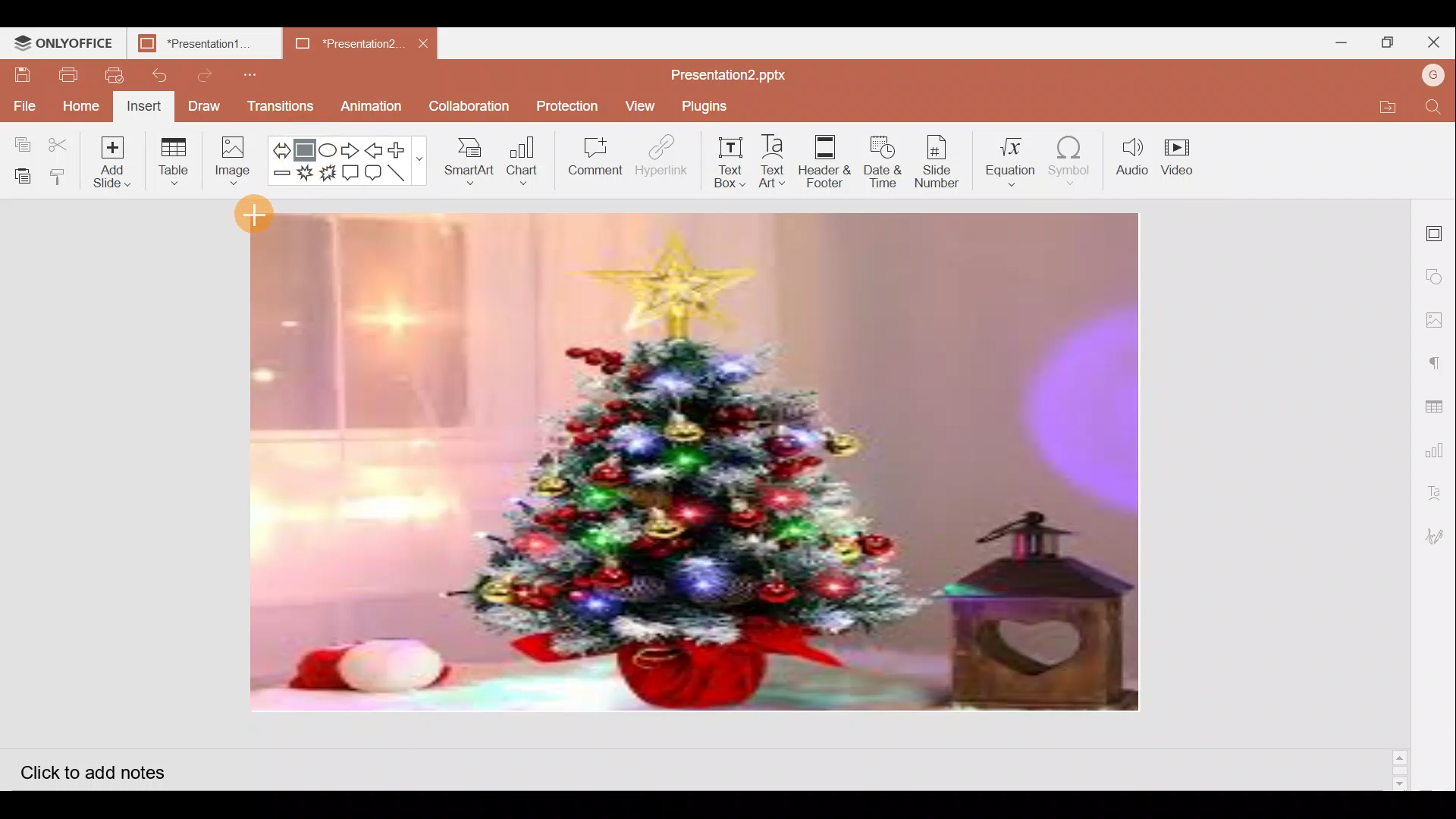 The width and height of the screenshot is (1456, 819). I want to click on Plus, so click(402, 150).